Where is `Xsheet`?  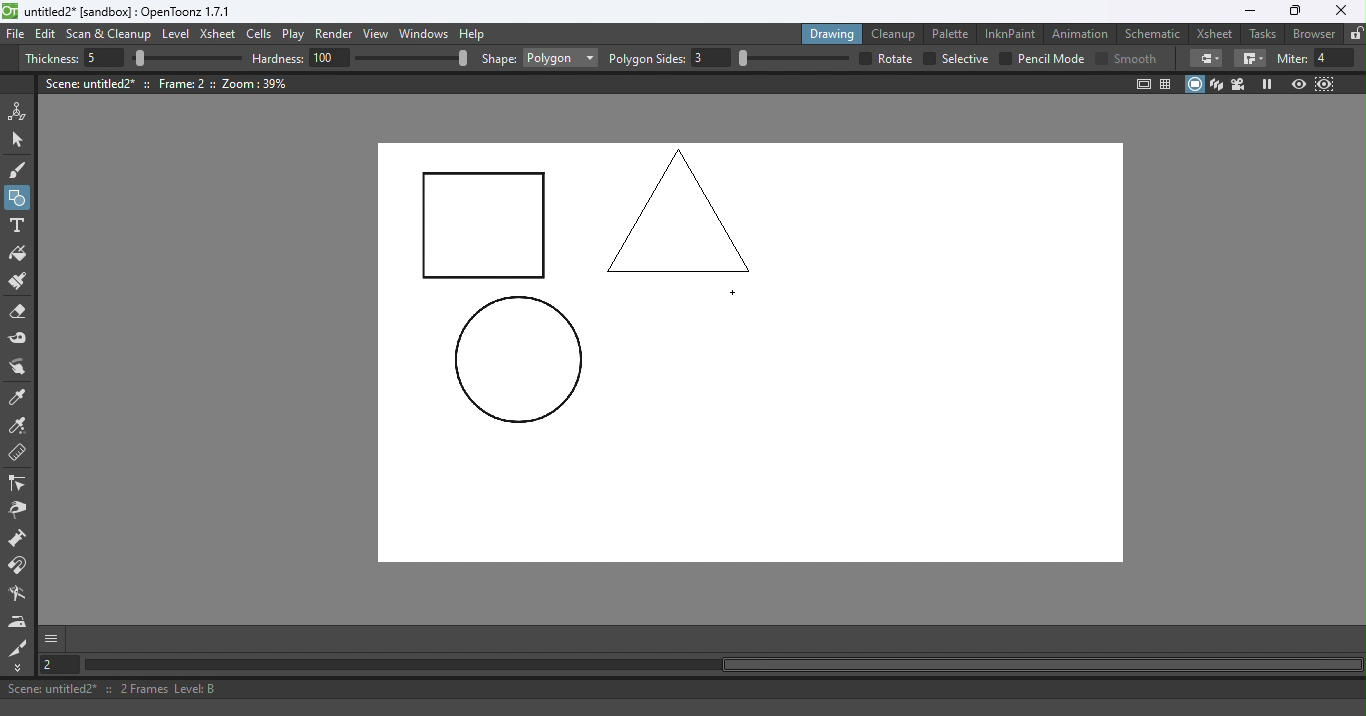 Xsheet is located at coordinates (220, 36).